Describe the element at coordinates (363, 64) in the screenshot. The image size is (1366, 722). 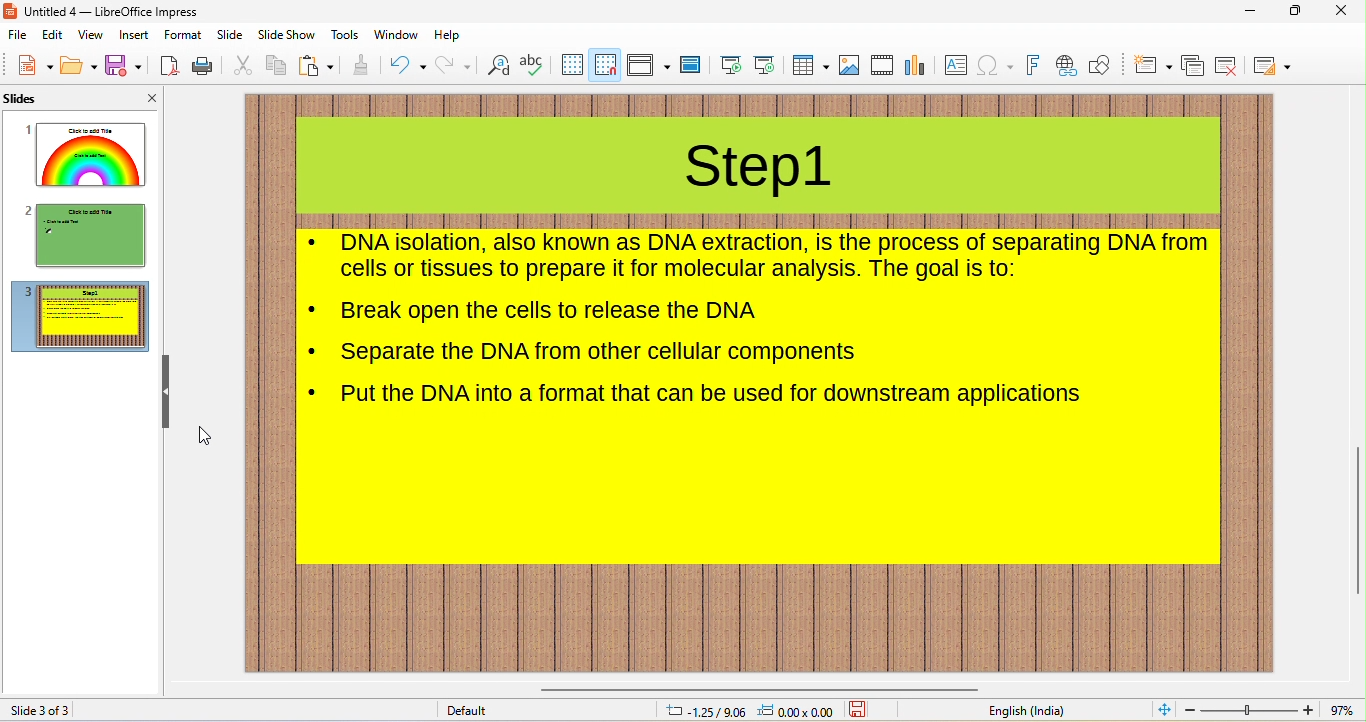
I see `clone` at that location.